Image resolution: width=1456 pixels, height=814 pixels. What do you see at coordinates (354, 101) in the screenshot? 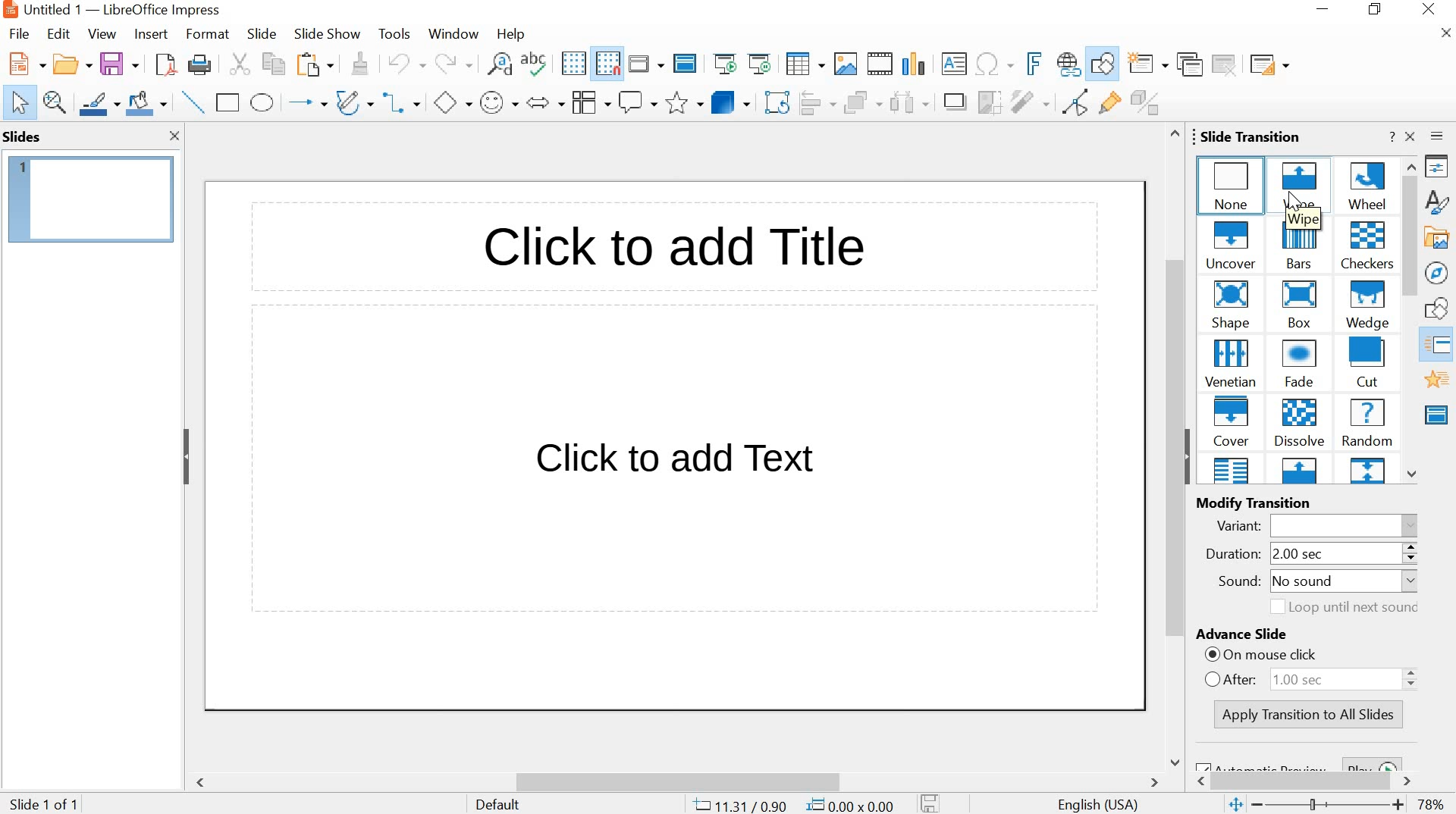
I see `Curves and polygons` at bounding box center [354, 101].